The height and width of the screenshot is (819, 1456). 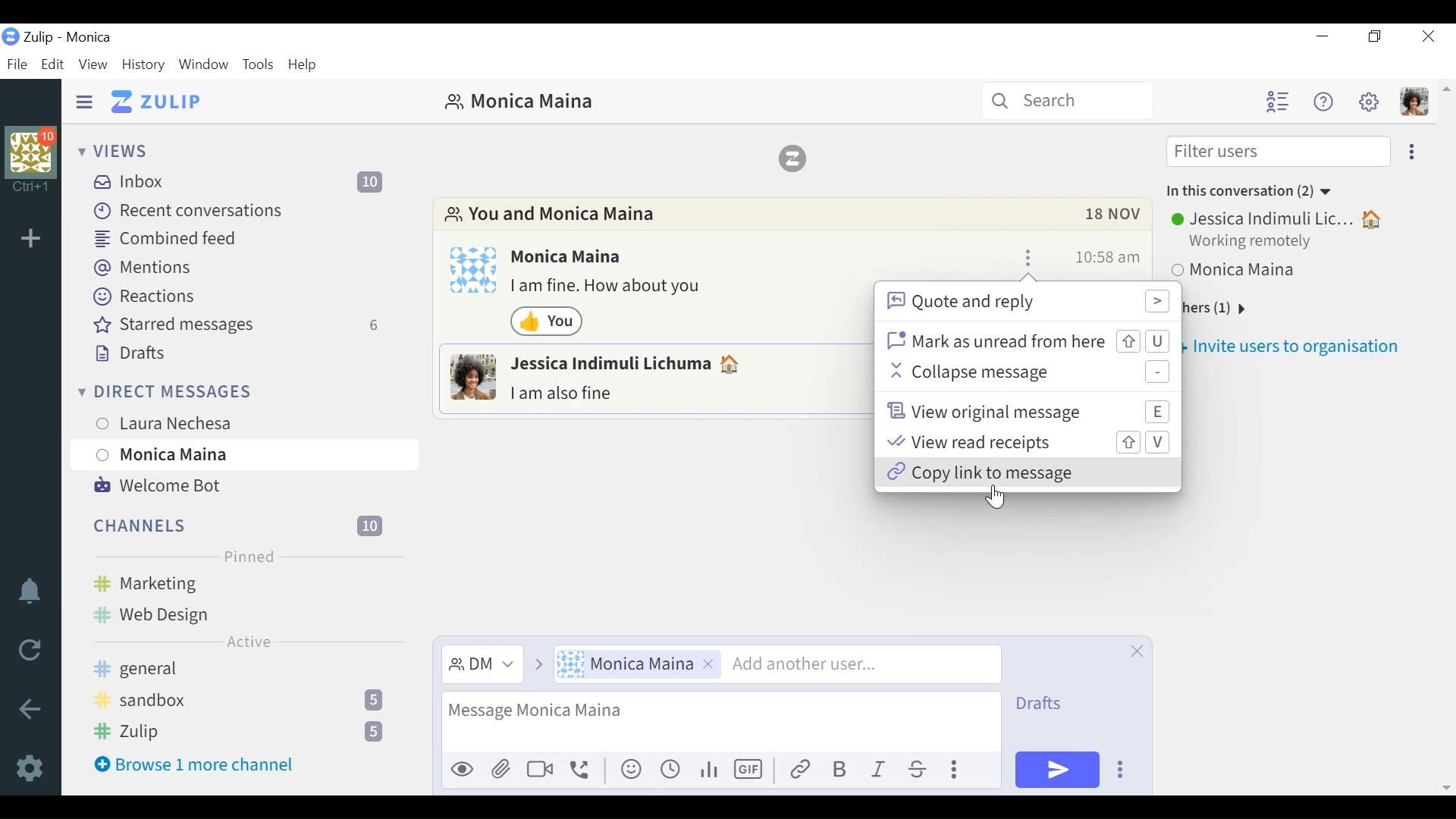 I want to click on Strikethrough, so click(x=921, y=770).